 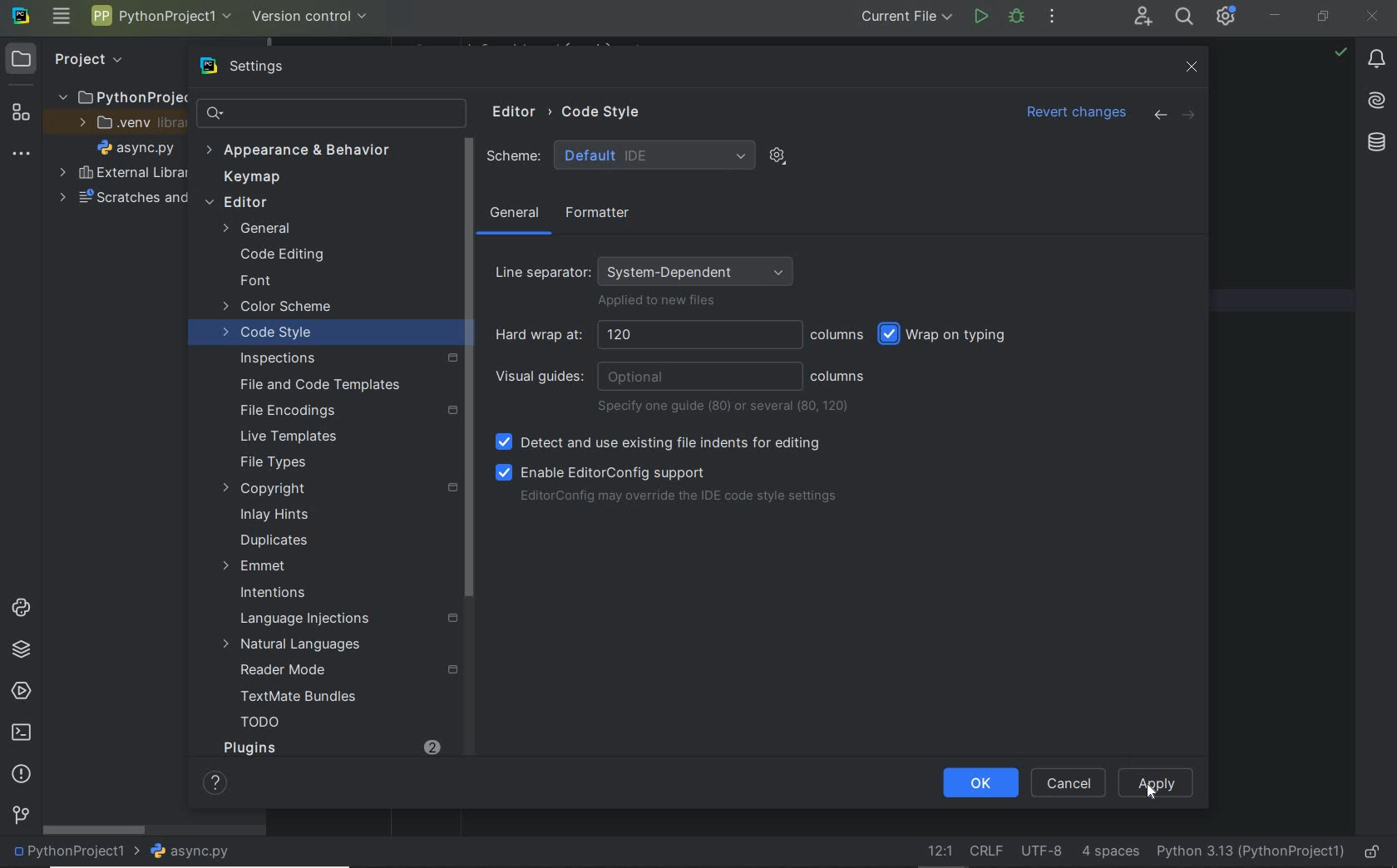 I want to click on notifications, so click(x=1378, y=62).